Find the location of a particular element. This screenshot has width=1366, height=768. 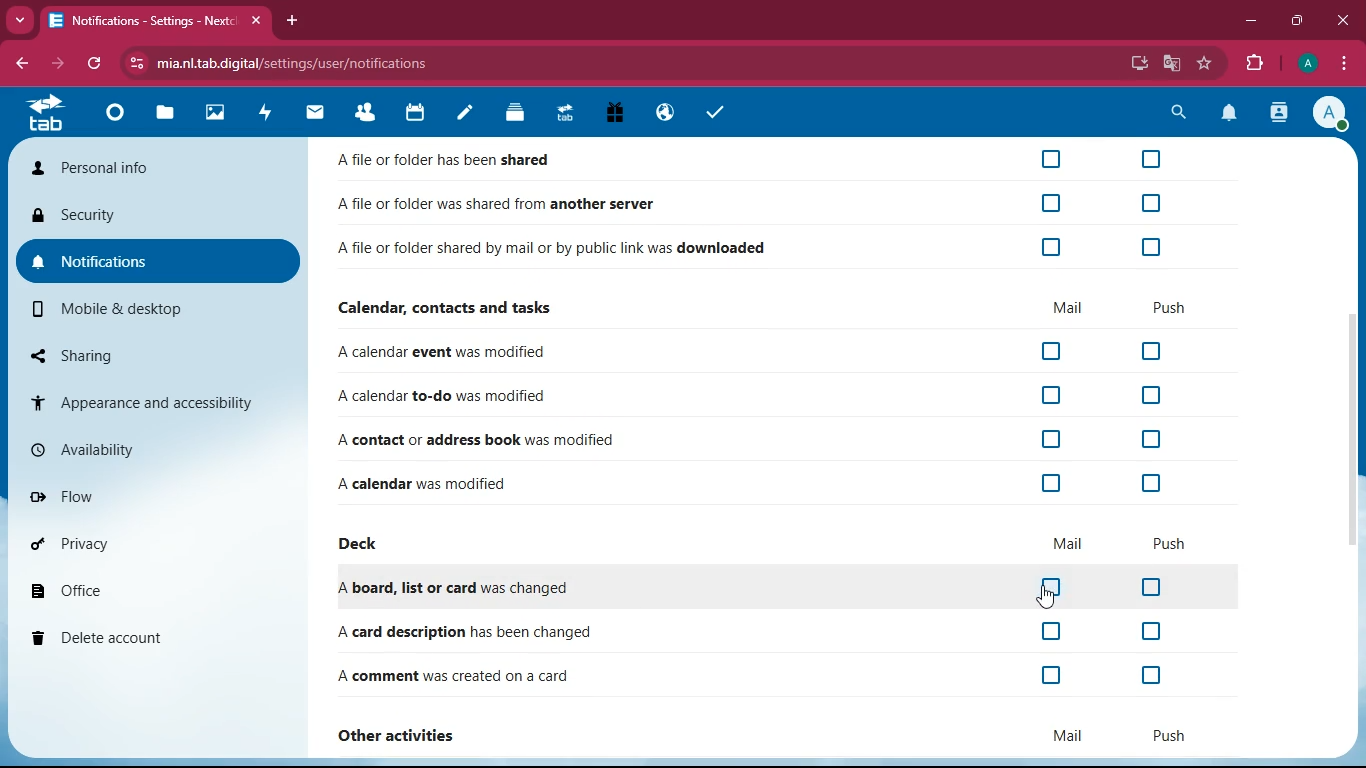

files is located at coordinates (164, 117).